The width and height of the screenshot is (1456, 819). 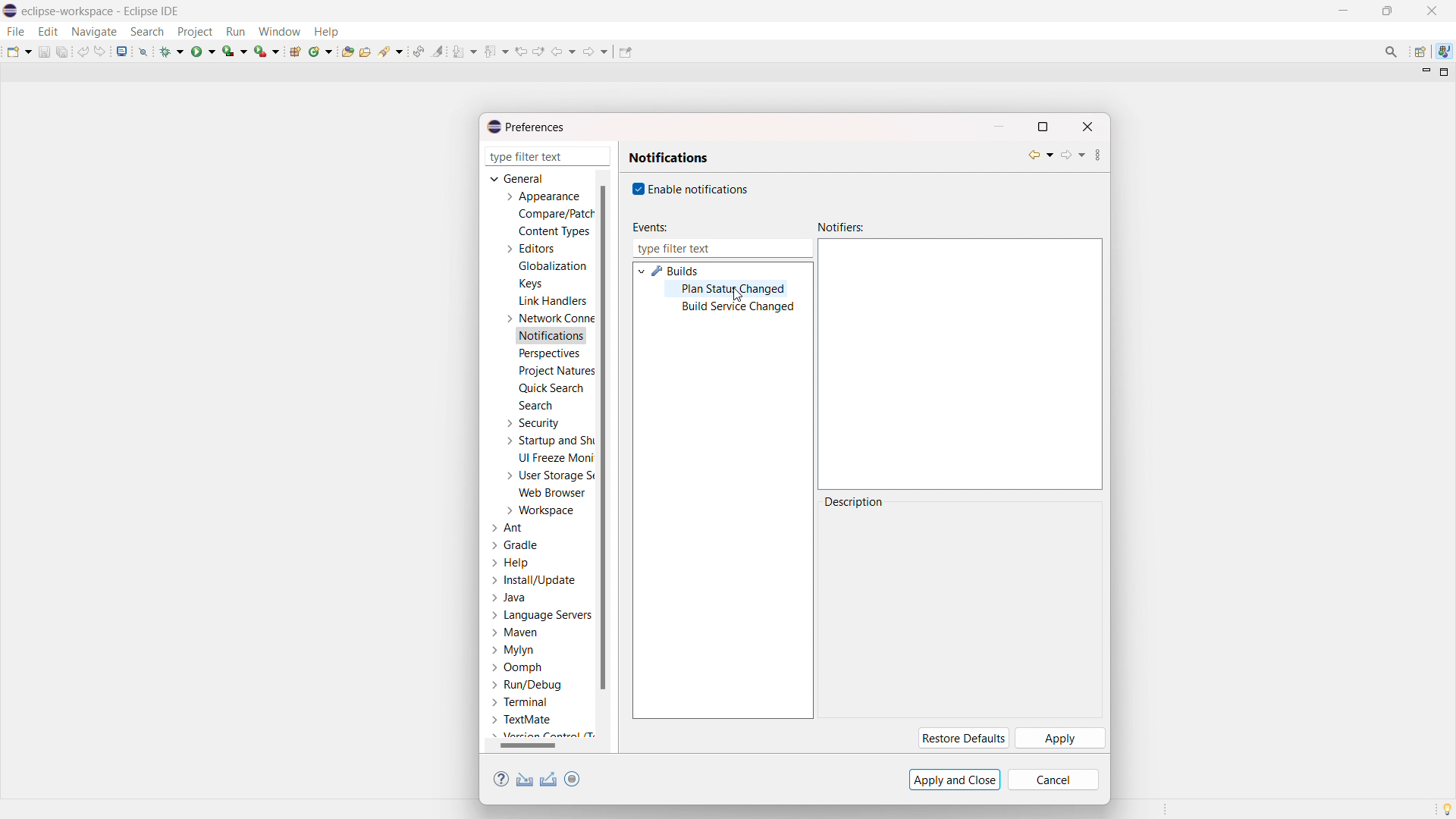 What do you see at coordinates (602, 436) in the screenshot?
I see `vertical scrollbar` at bounding box center [602, 436].